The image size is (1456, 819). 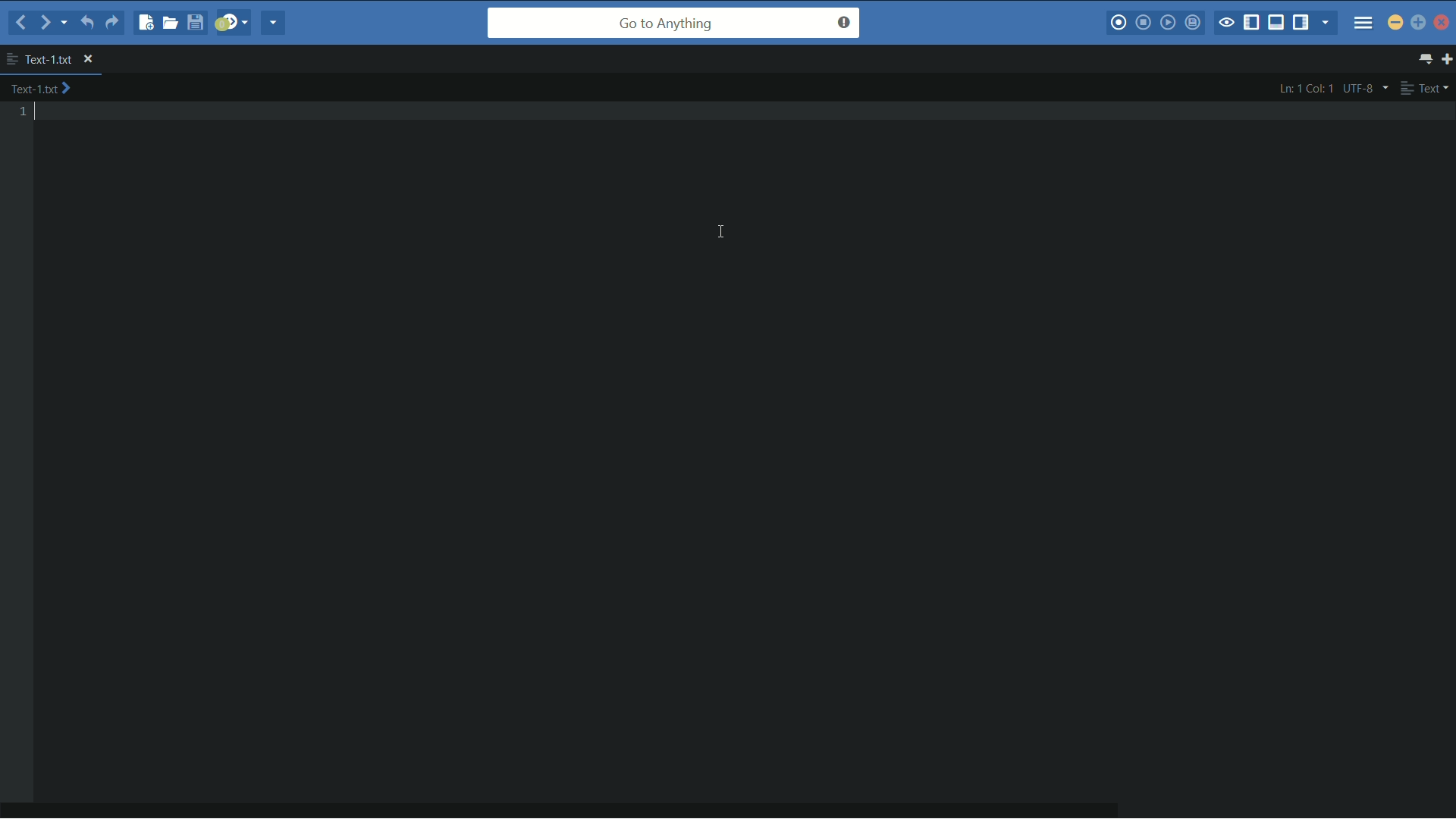 I want to click on back, so click(x=21, y=22).